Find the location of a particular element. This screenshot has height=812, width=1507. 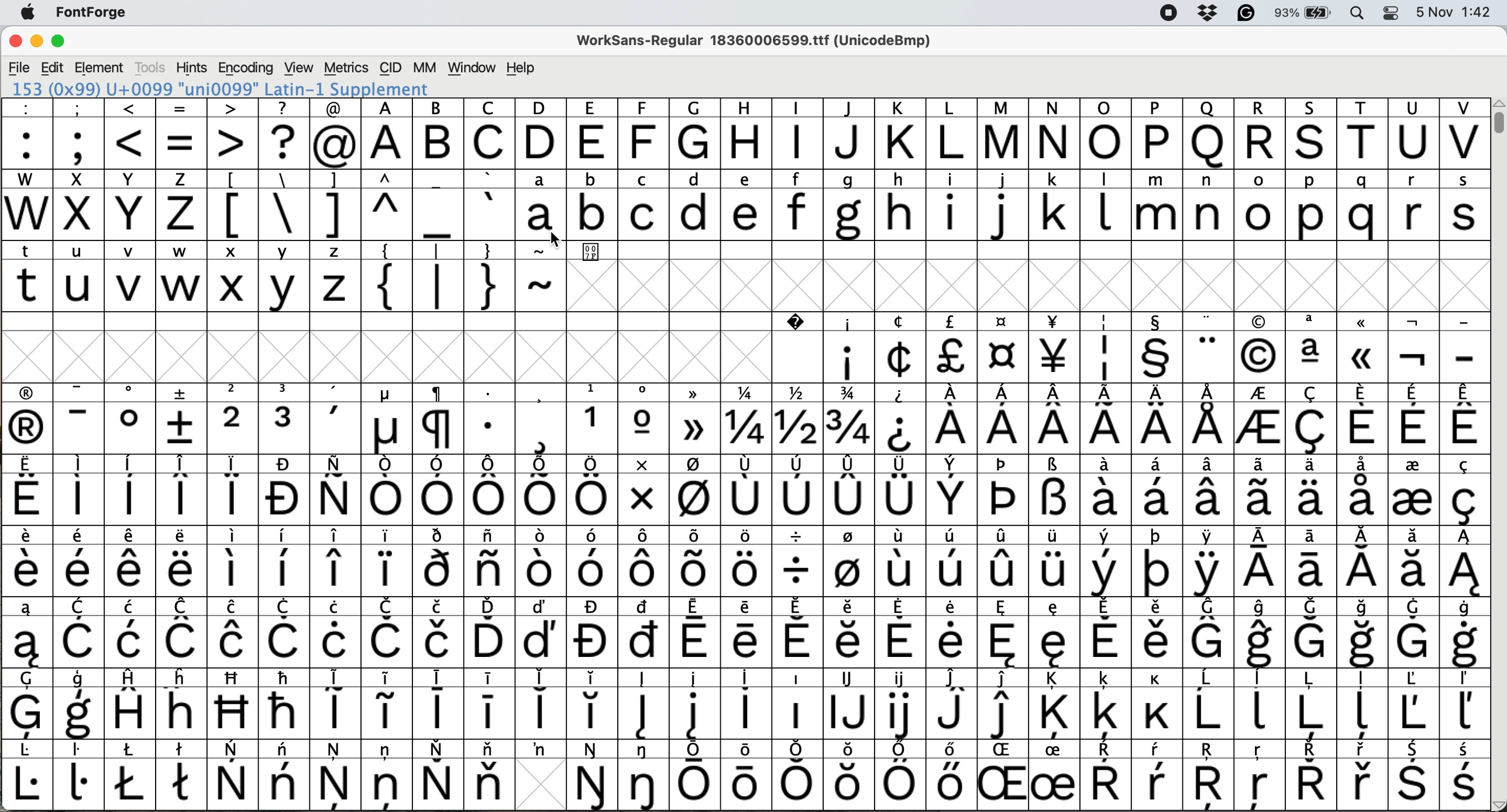

symbol is located at coordinates (541, 633).